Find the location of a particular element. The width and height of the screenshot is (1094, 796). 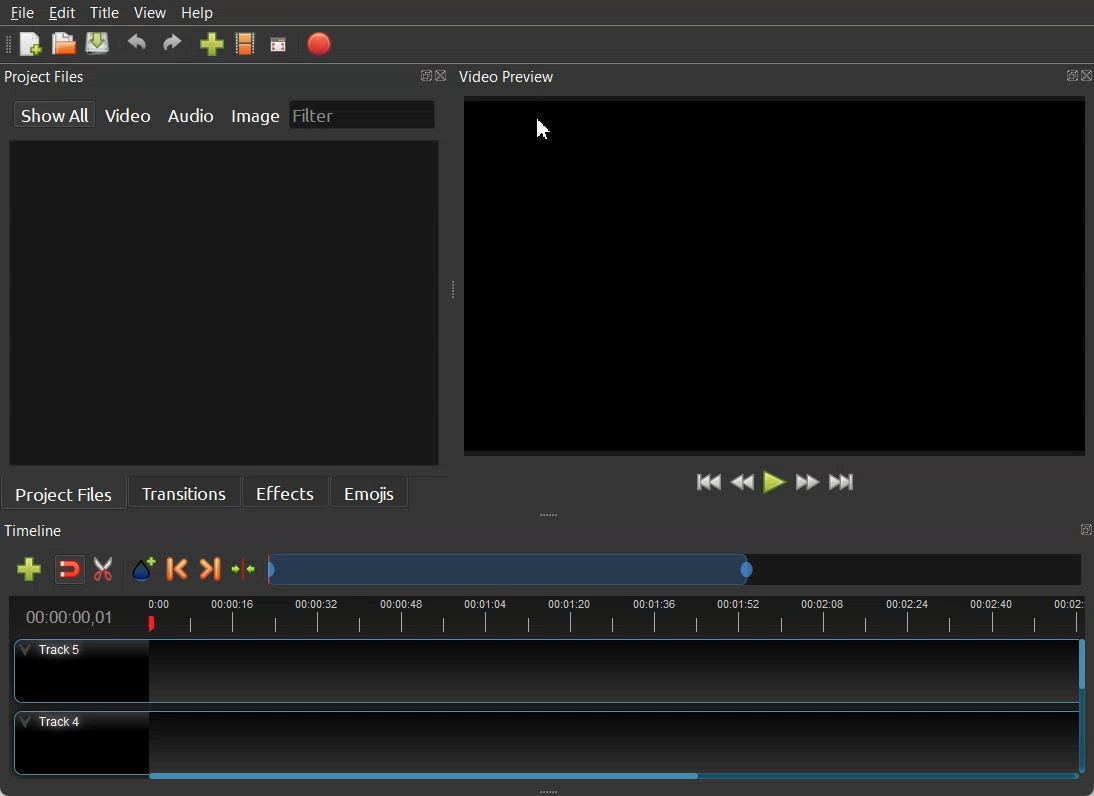

Project File is located at coordinates (62, 492).